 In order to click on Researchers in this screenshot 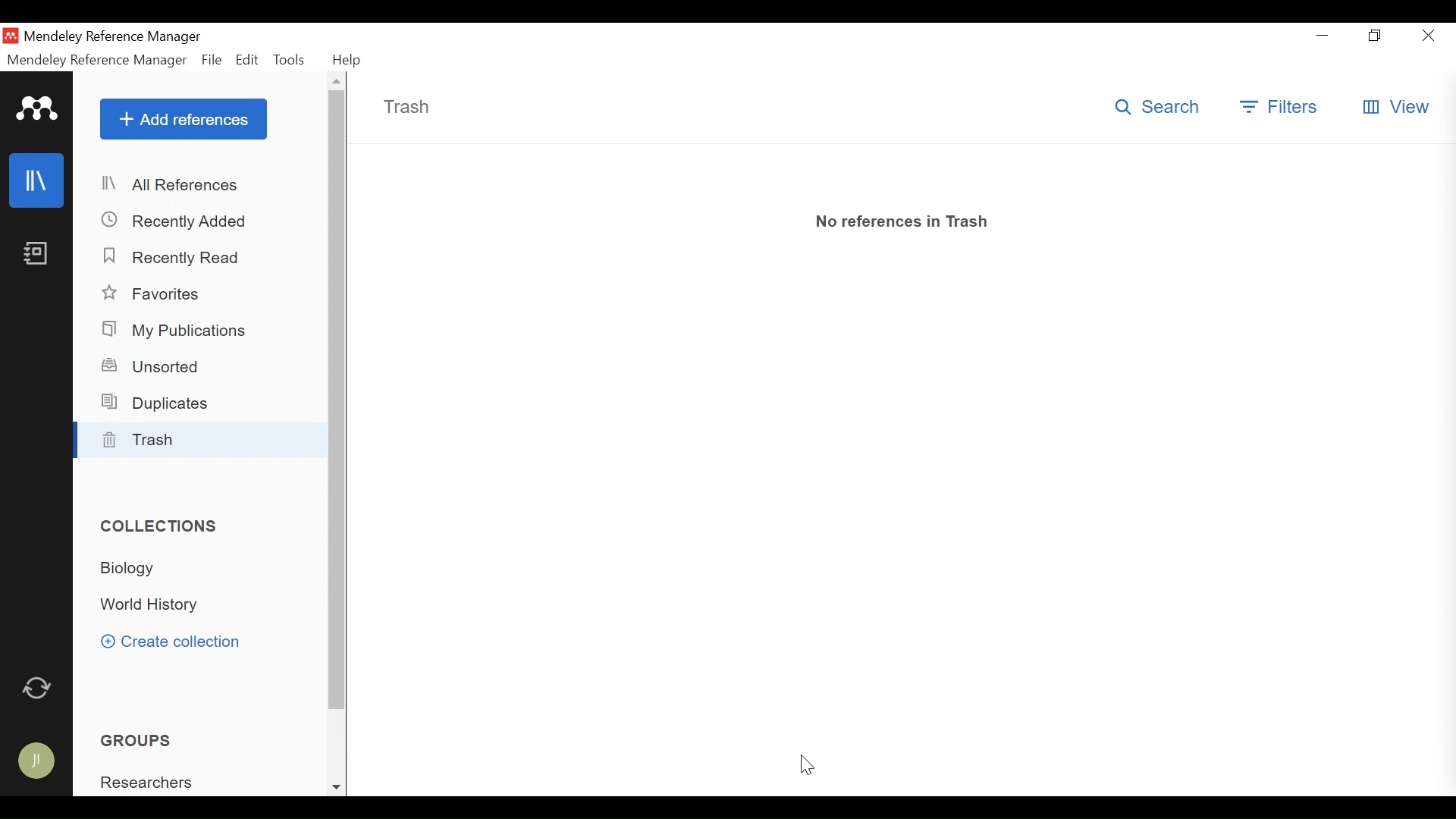, I will do `click(154, 783)`.